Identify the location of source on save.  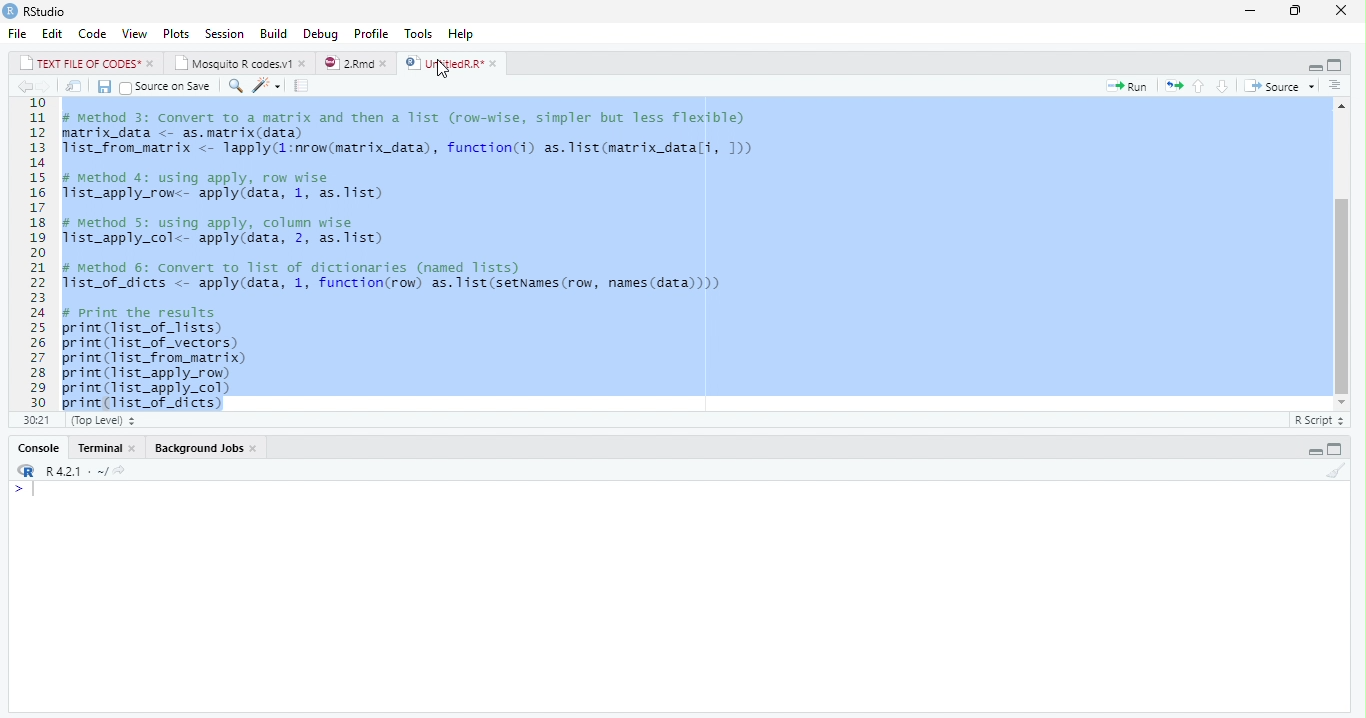
(166, 86).